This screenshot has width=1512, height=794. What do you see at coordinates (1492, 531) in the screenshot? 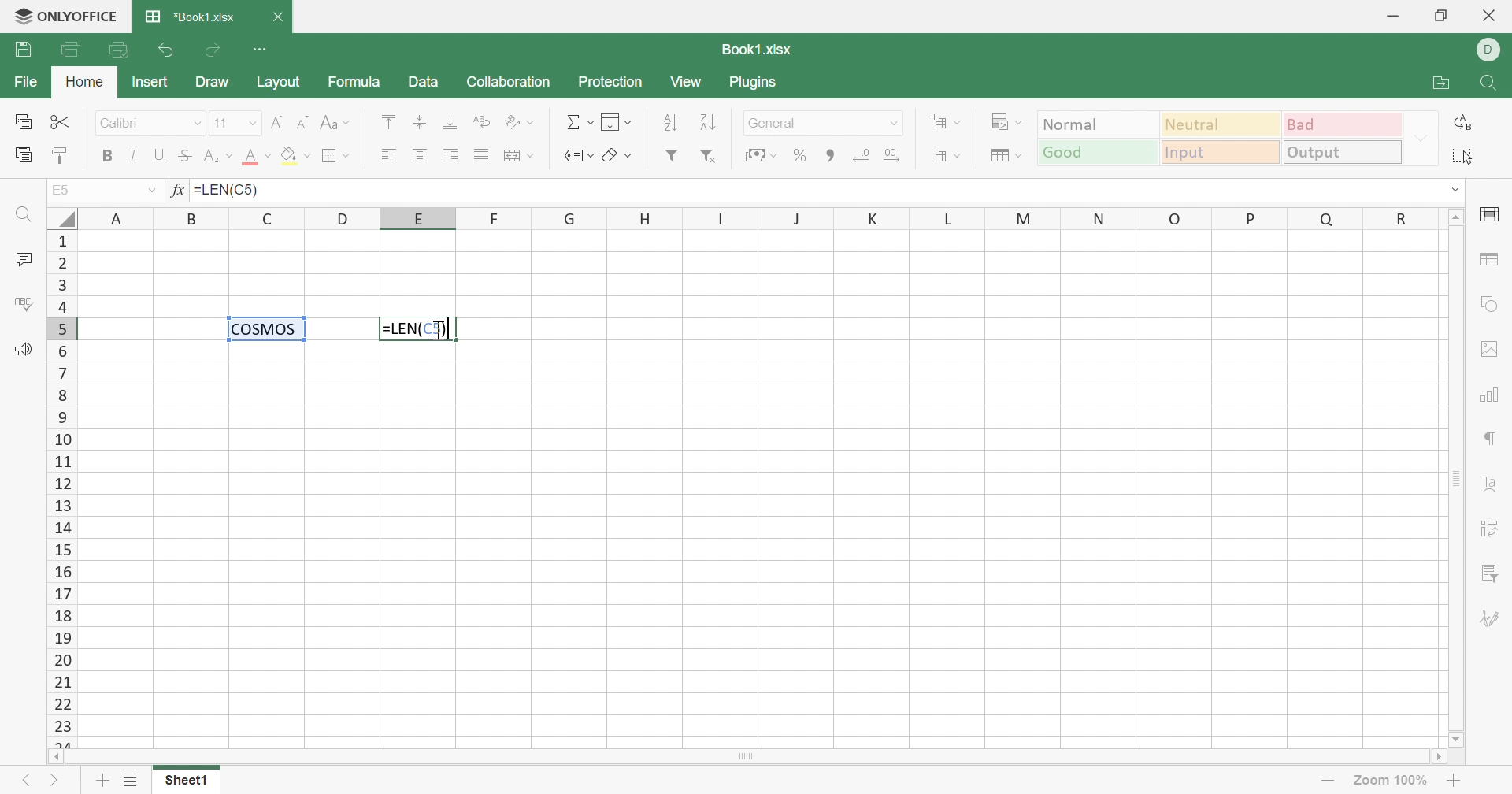
I see `Pivot settings` at bounding box center [1492, 531].